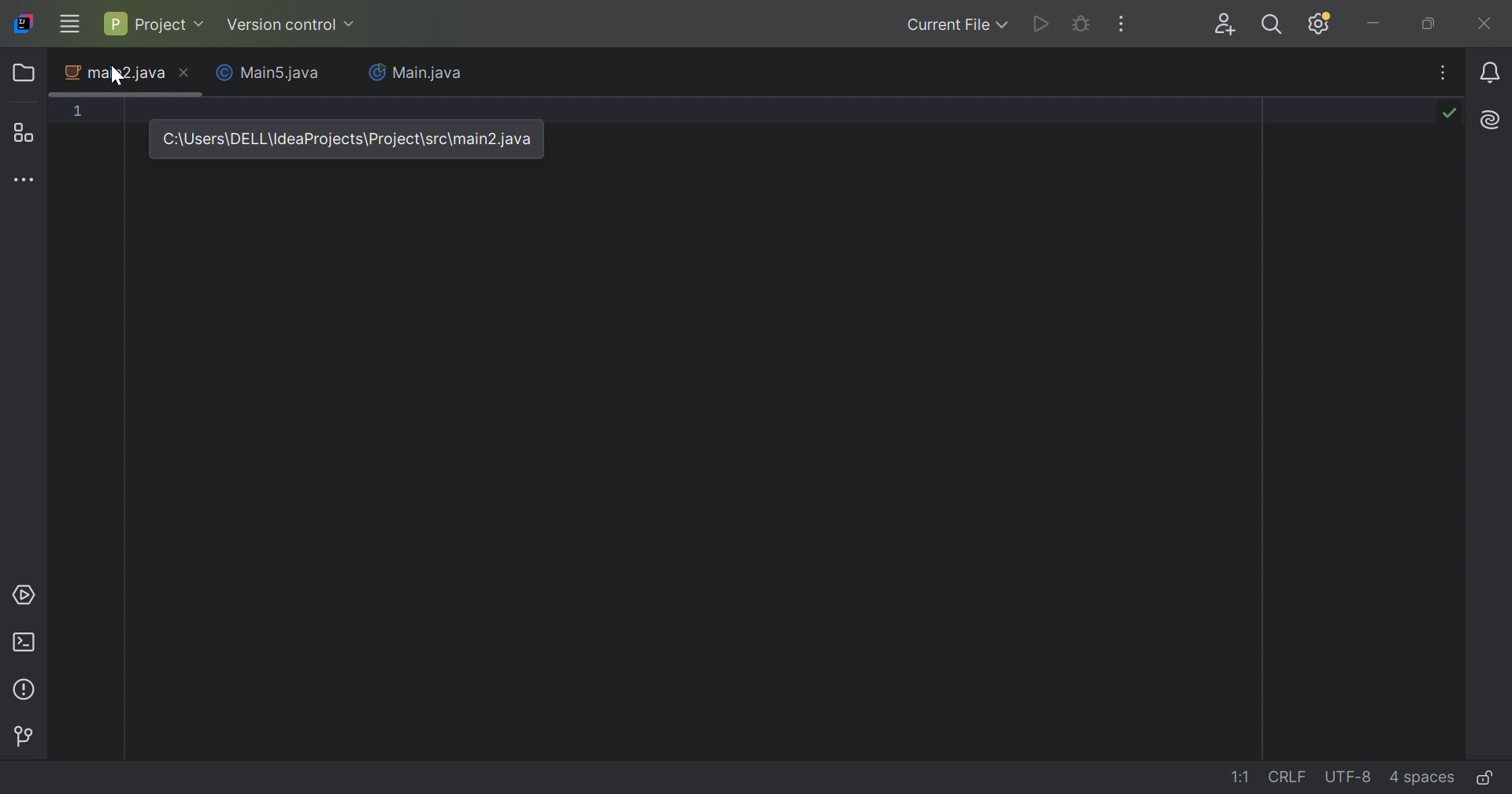 Image resolution: width=1512 pixels, height=794 pixels. Describe the element at coordinates (1488, 777) in the screenshot. I see `Make file read-only` at that location.